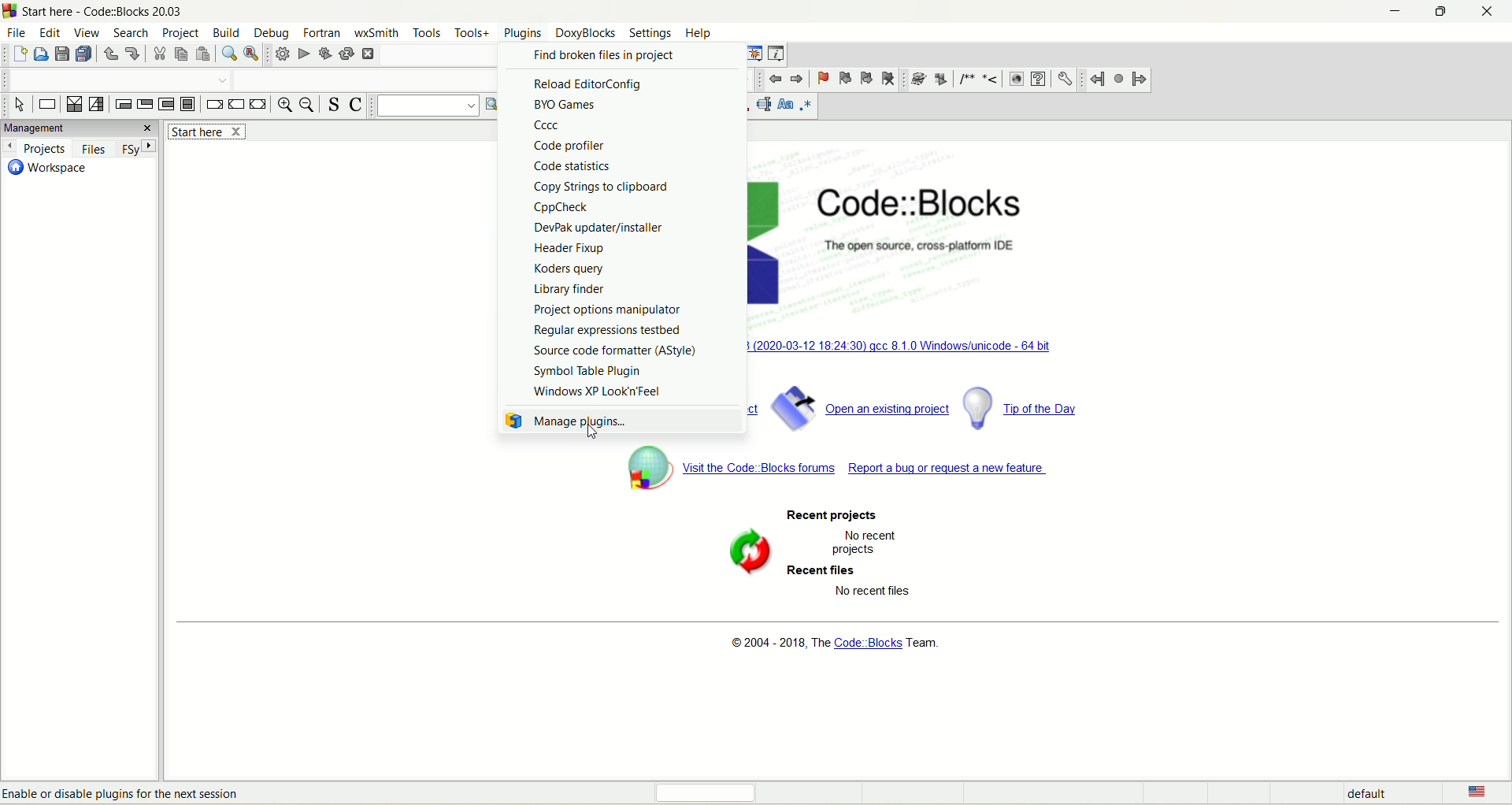 Image resolution: width=1512 pixels, height=805 pixels. What do you see at coordinates (592, 434) in the screenshot?
I see `cursor` at bounding box center [592, 434].